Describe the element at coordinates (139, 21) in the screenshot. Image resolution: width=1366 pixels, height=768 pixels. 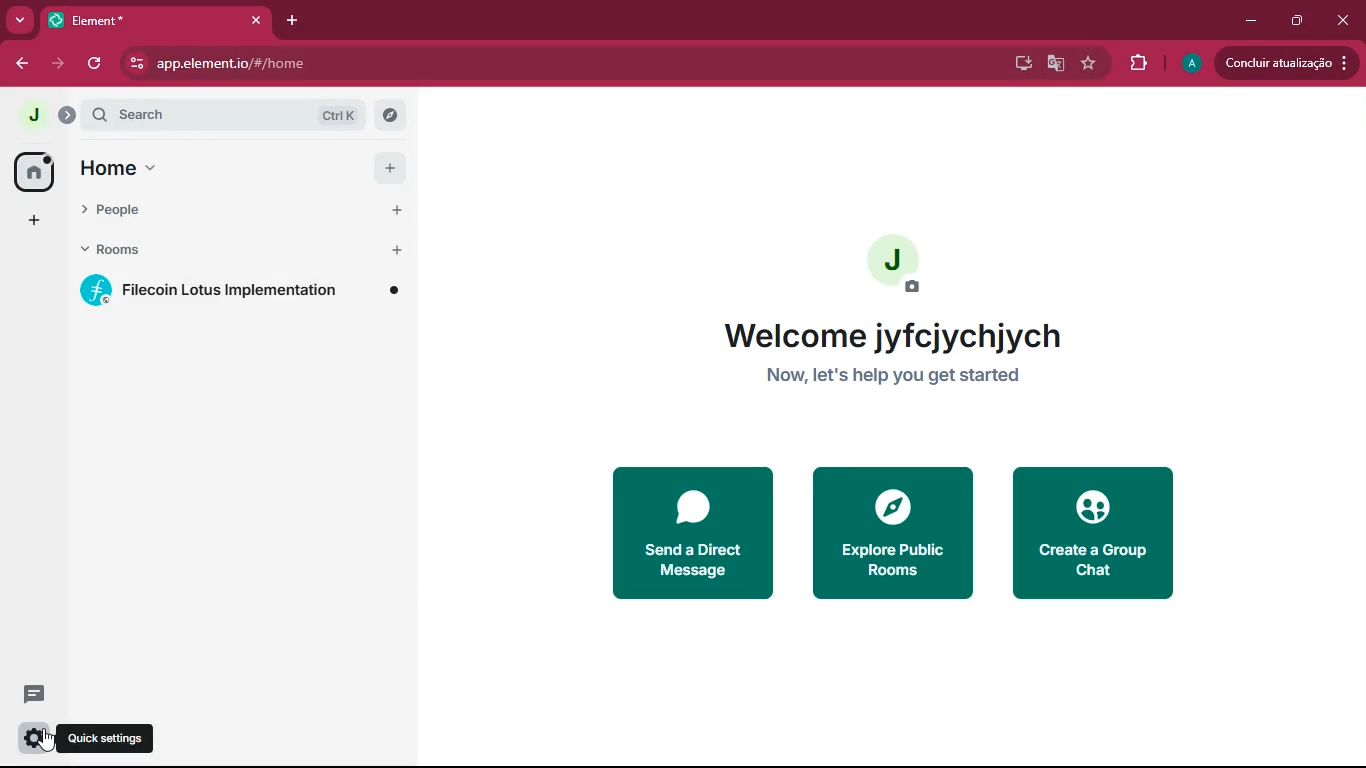
I see `Element*` at that location.